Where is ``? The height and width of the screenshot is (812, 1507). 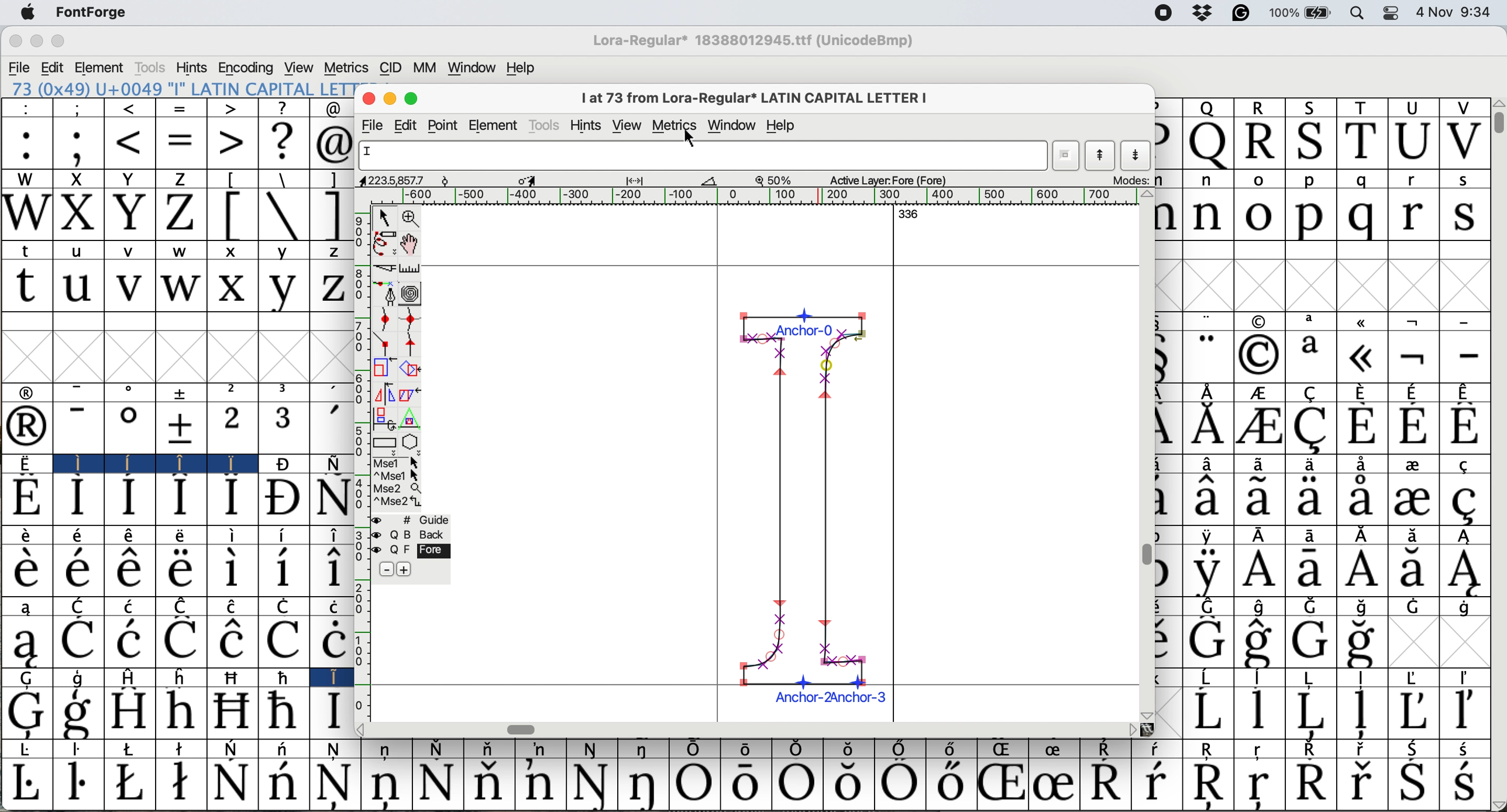  is located at coordinates (380, 519).